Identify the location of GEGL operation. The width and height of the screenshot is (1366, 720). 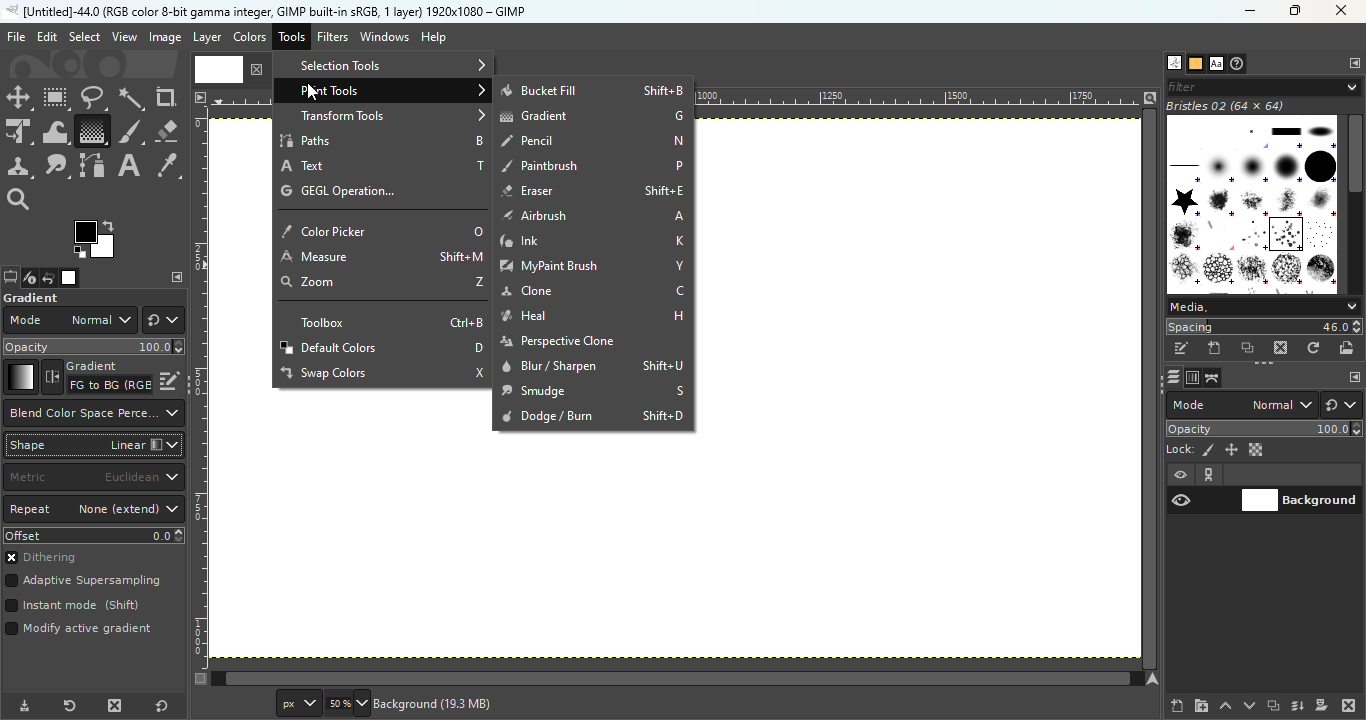
(356, 192).